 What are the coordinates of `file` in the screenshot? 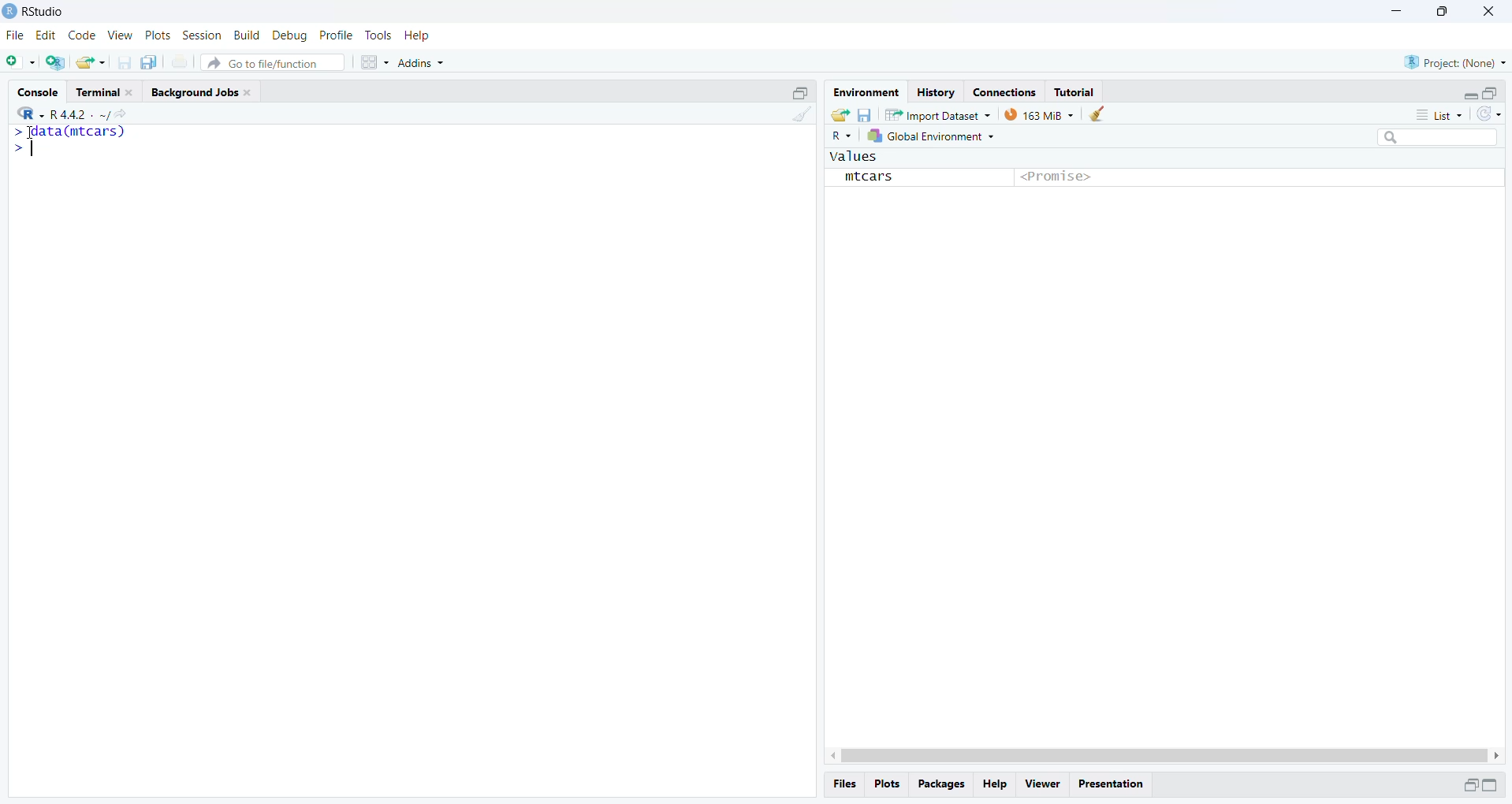 It's located at (17, 35).